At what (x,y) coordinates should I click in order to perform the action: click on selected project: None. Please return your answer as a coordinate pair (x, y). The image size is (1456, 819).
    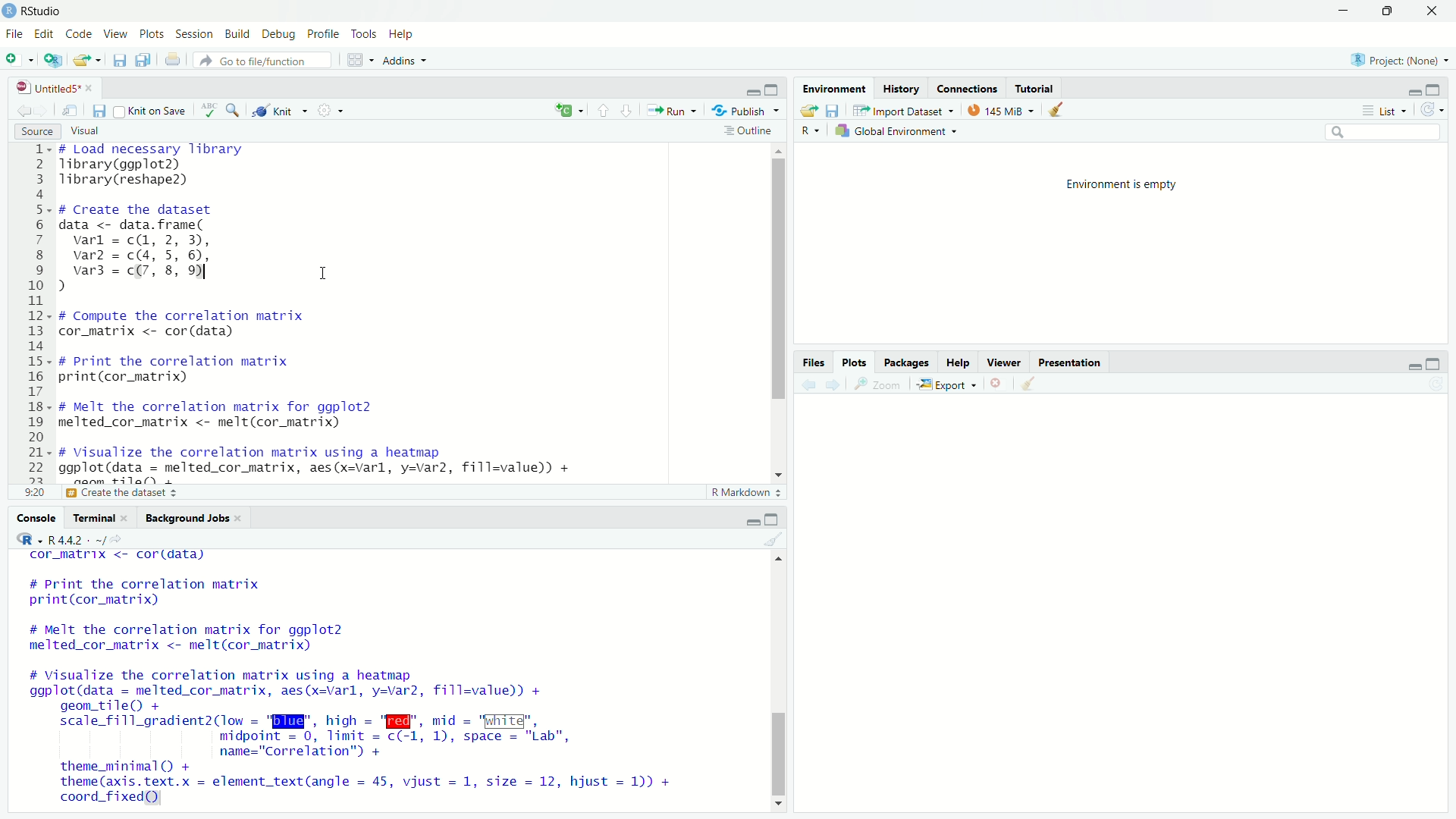
    Looking at the image, I should click on (1401, 58).